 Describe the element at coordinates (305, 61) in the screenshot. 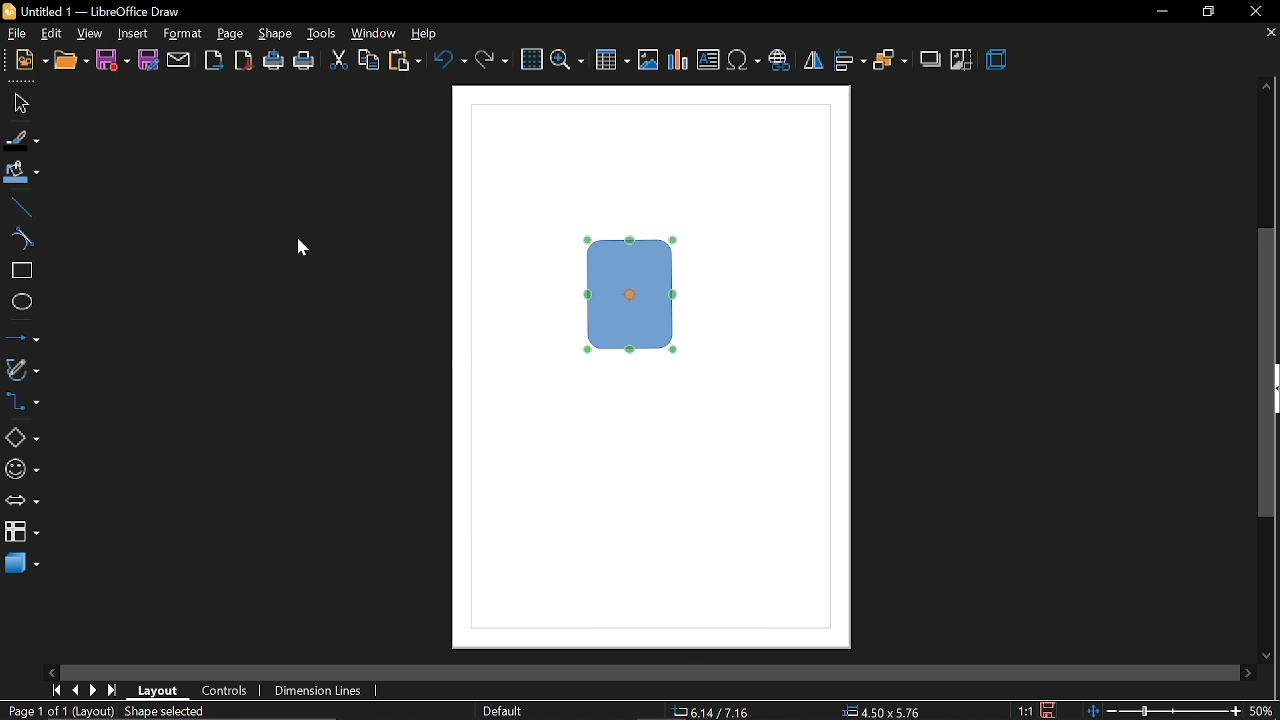

I see `print` at that location.